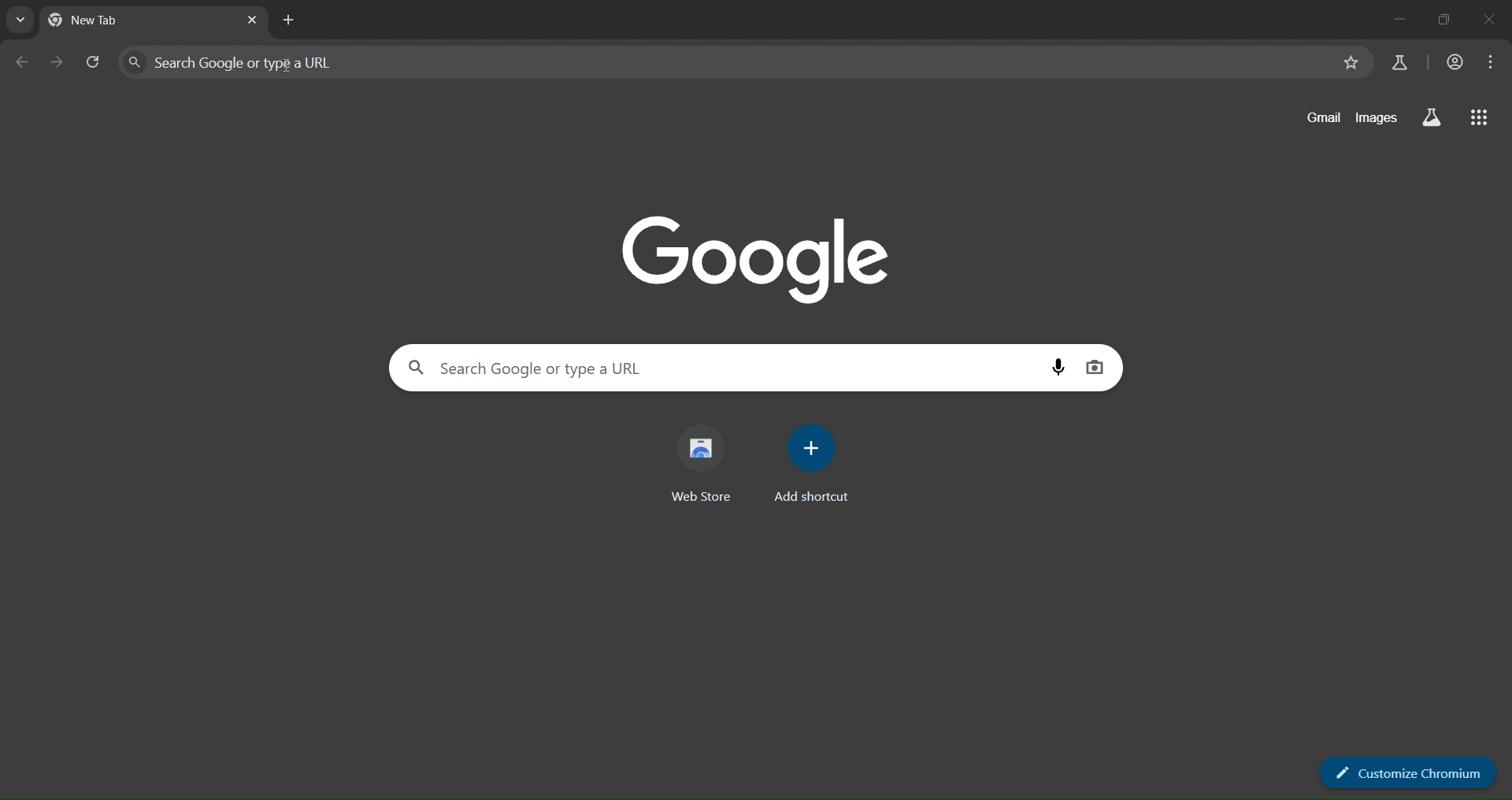 The height and width of the screenshot is (800, 1512). Describe the element at coordinates (21, 20) in the screenshot. I see `search tabs` at that location.